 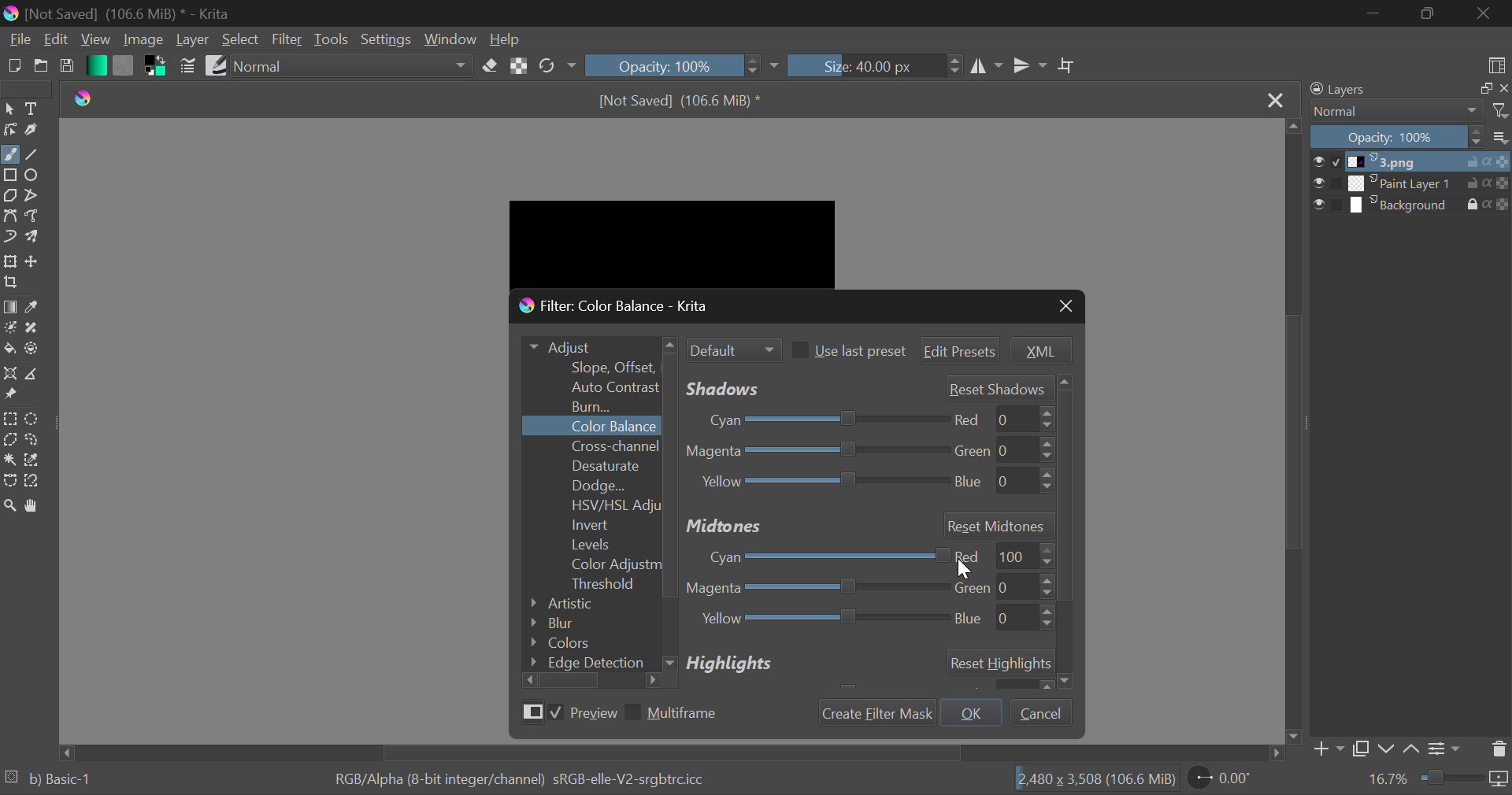 What do you see at coordinates (35, 481) in the screenshot?
I see `Magnetic Selection` at bounding box center [35, 481].